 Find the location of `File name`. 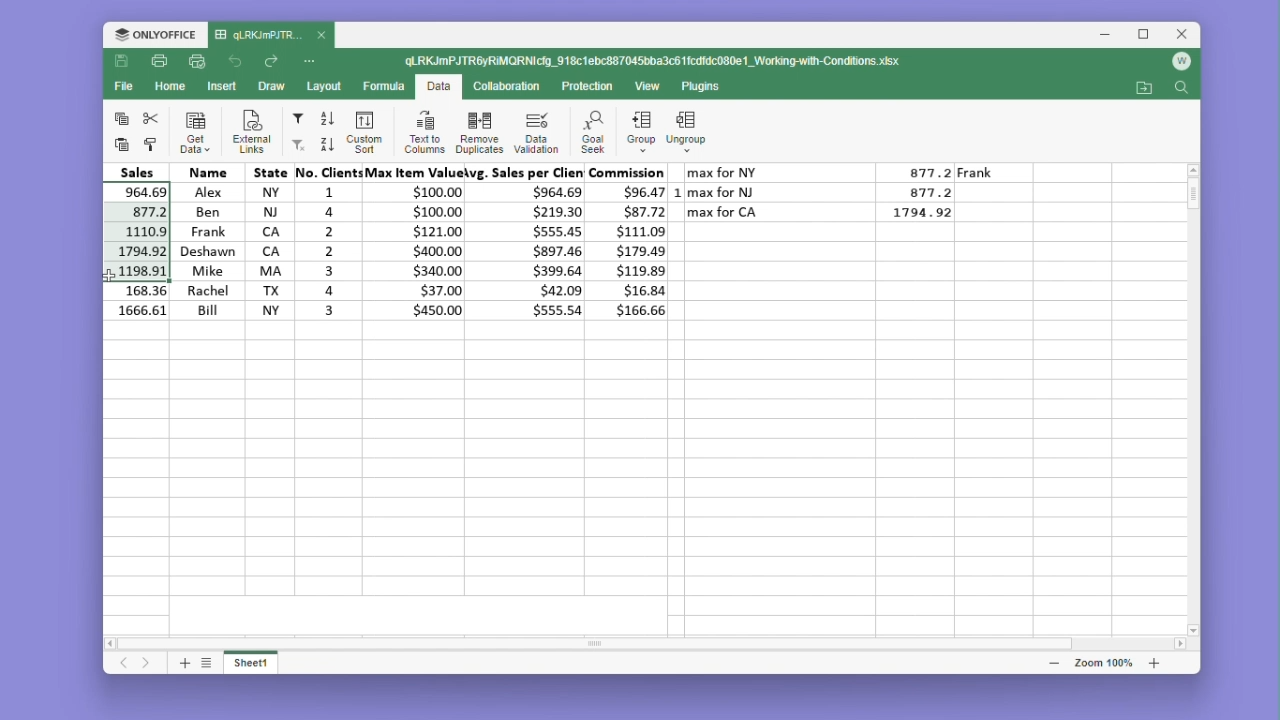

File name is located at coordinates (655, 62).